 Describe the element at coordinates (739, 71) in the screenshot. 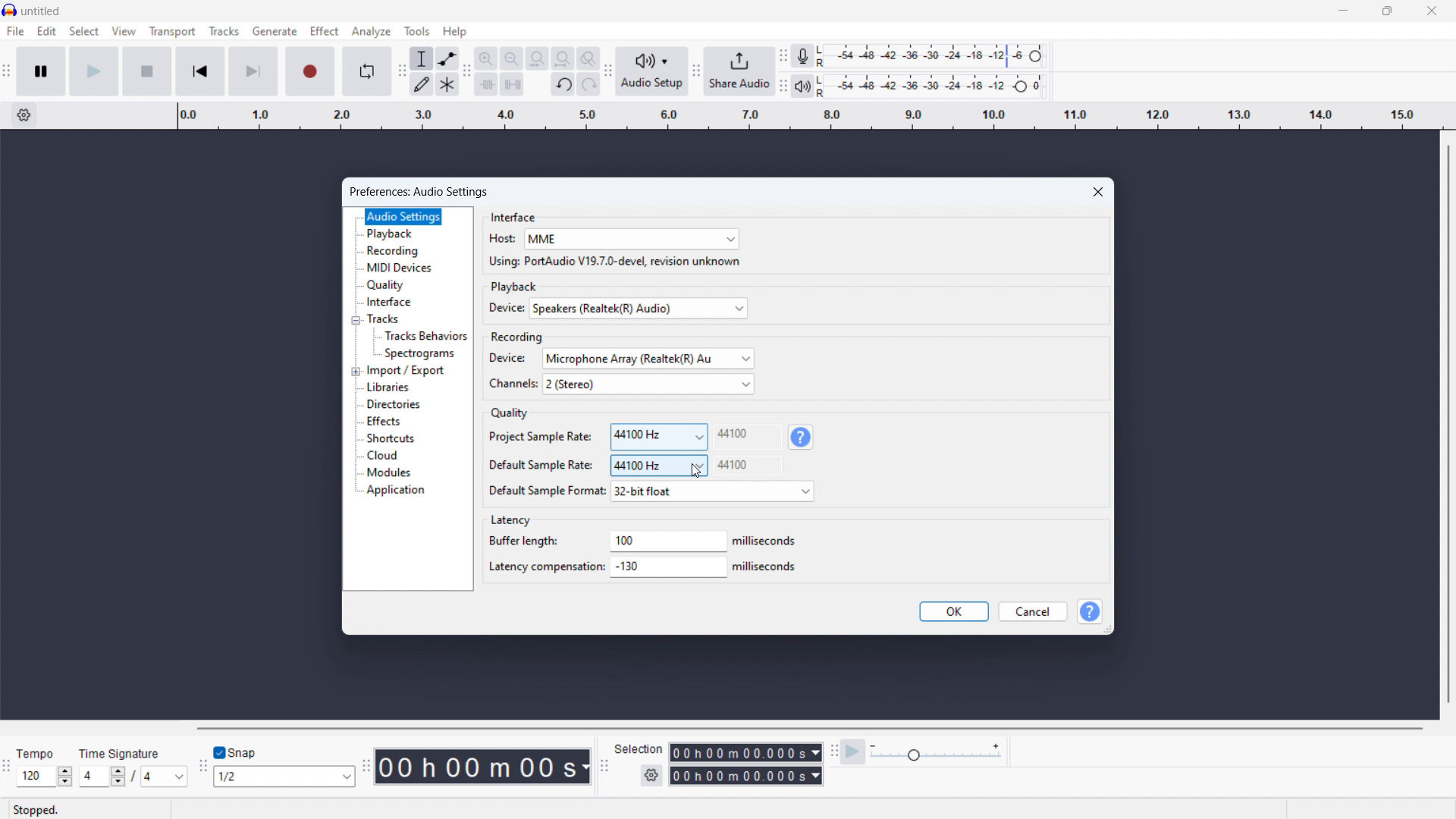

I see `share audio` at that location.